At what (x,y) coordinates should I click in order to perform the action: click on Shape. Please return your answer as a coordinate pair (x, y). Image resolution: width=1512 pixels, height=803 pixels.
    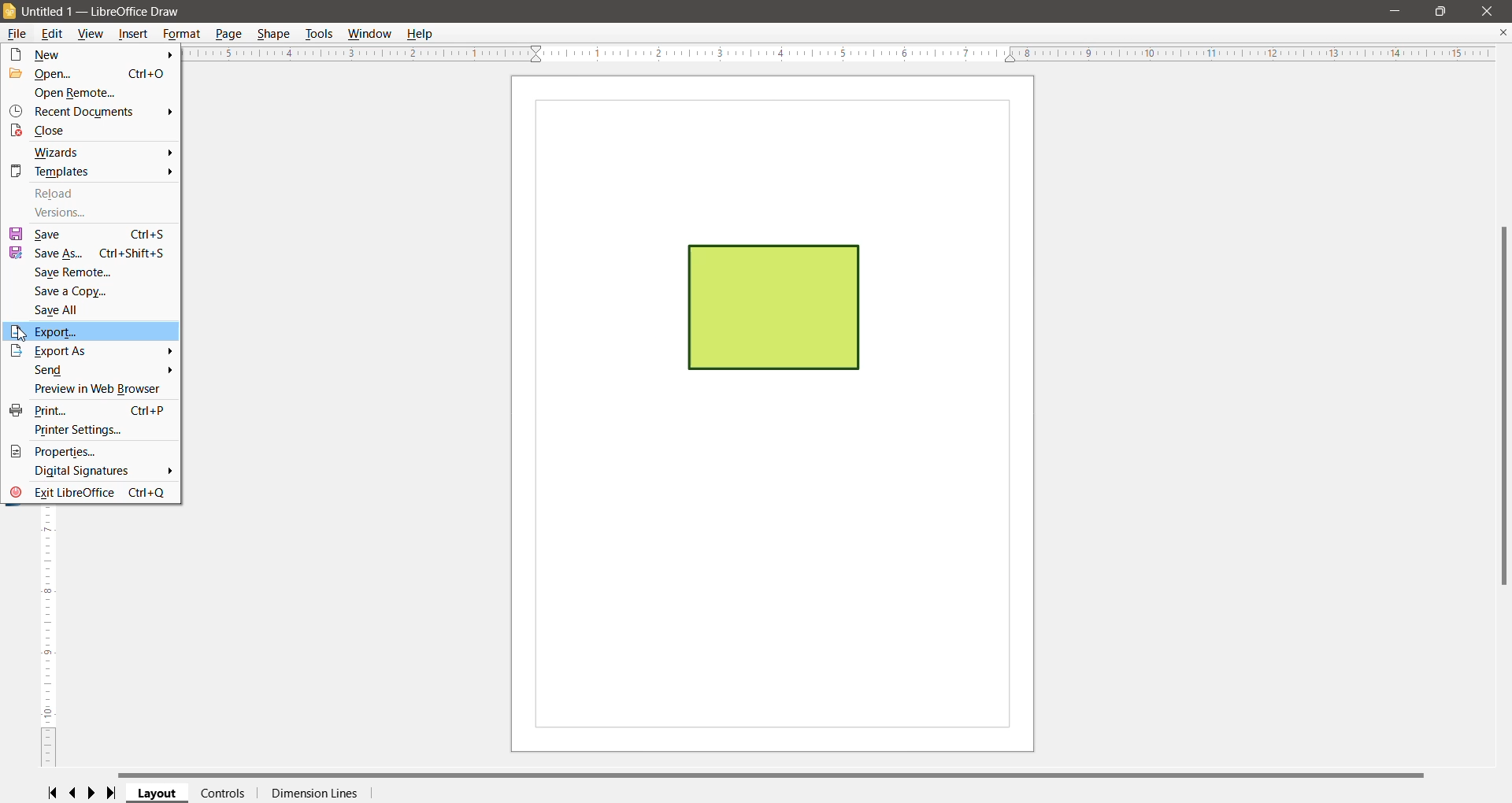
    Looking at the image, I should click on (273, 34).